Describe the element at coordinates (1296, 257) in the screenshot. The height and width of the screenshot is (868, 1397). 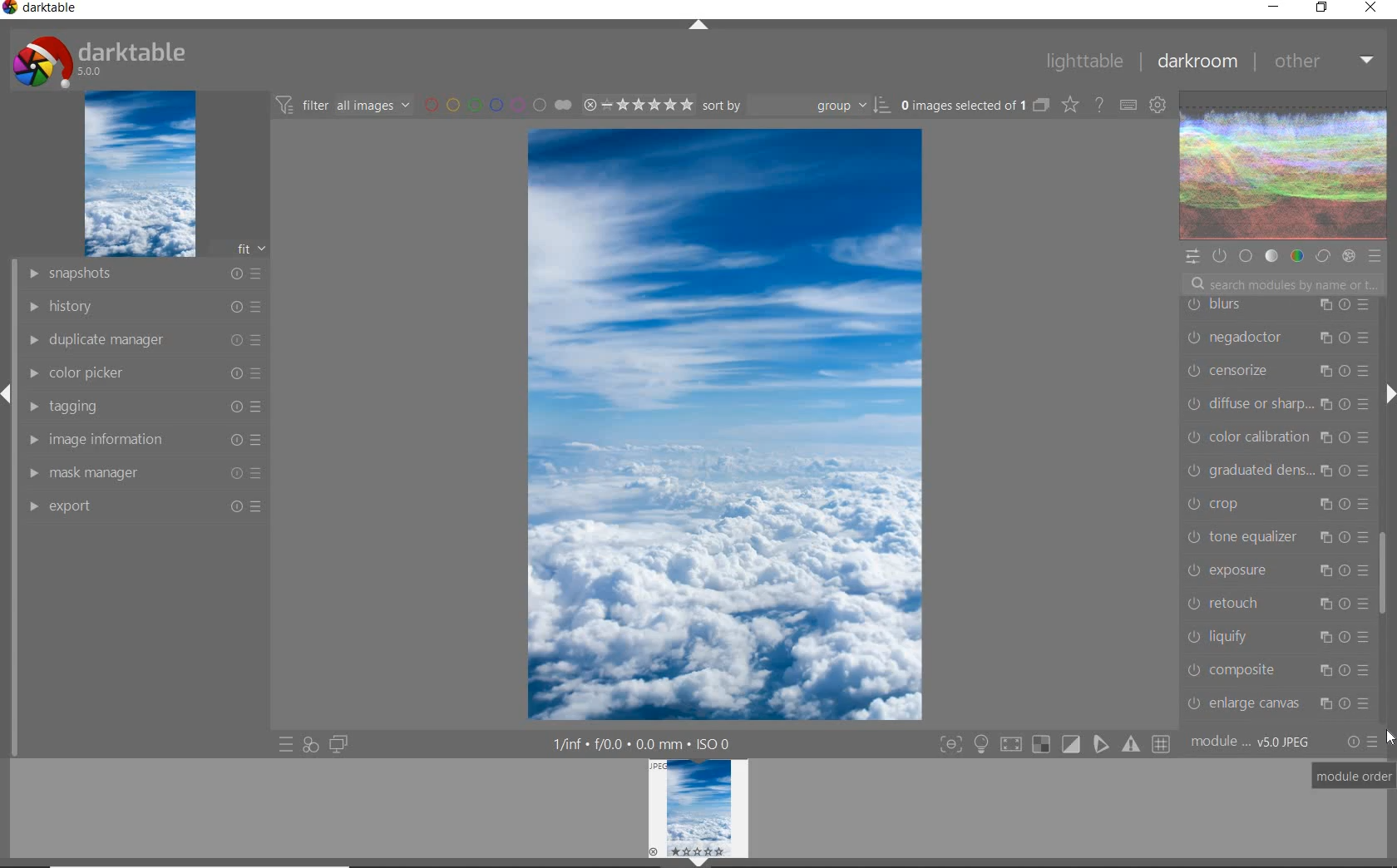
I see `COLOR` at that location.